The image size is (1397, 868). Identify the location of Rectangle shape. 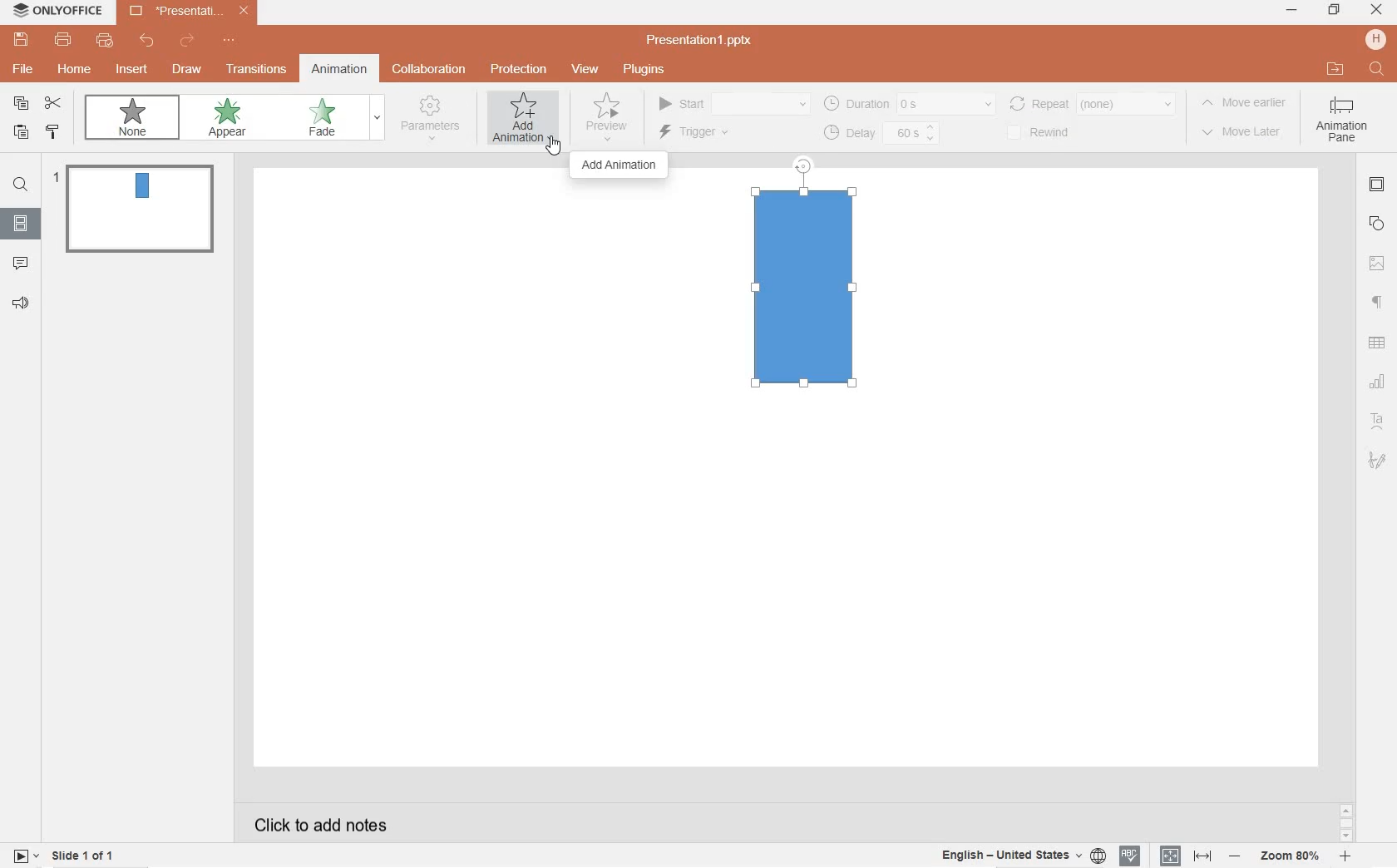
(805, 289).